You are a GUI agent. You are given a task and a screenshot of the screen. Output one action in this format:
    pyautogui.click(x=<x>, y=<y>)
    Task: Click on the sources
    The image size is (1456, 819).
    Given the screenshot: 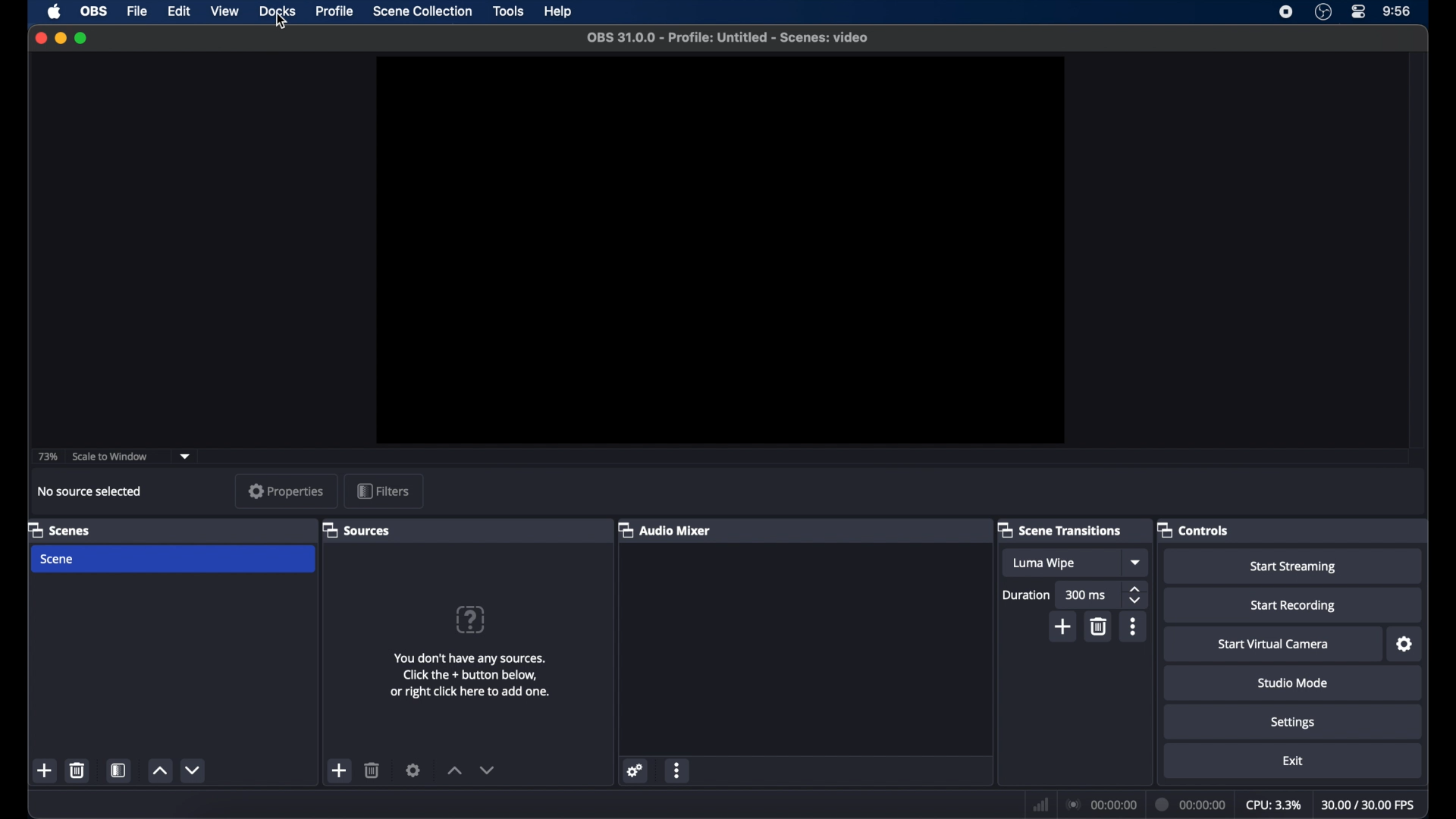 What is the action you would take?
    pyautogui.click(x=359, y=531)
    